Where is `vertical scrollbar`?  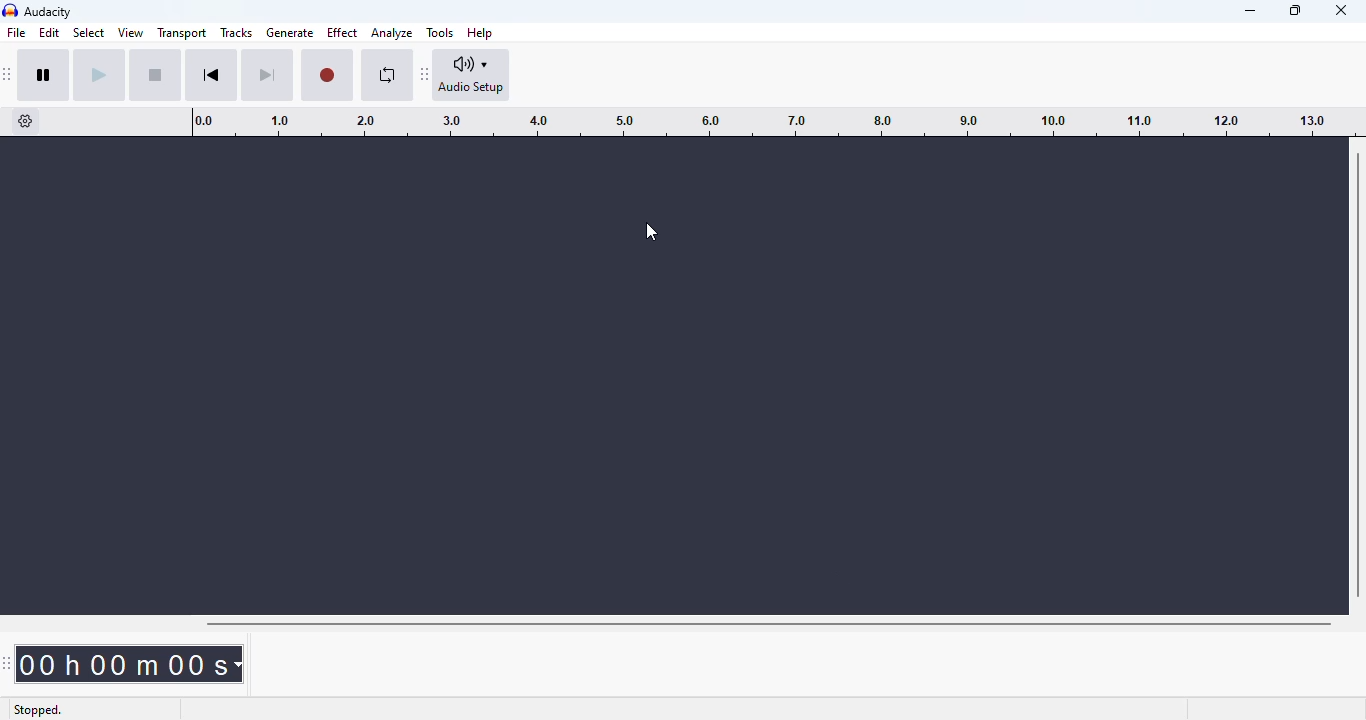
vertical scrollbar is located at coordinates (1358, 376).